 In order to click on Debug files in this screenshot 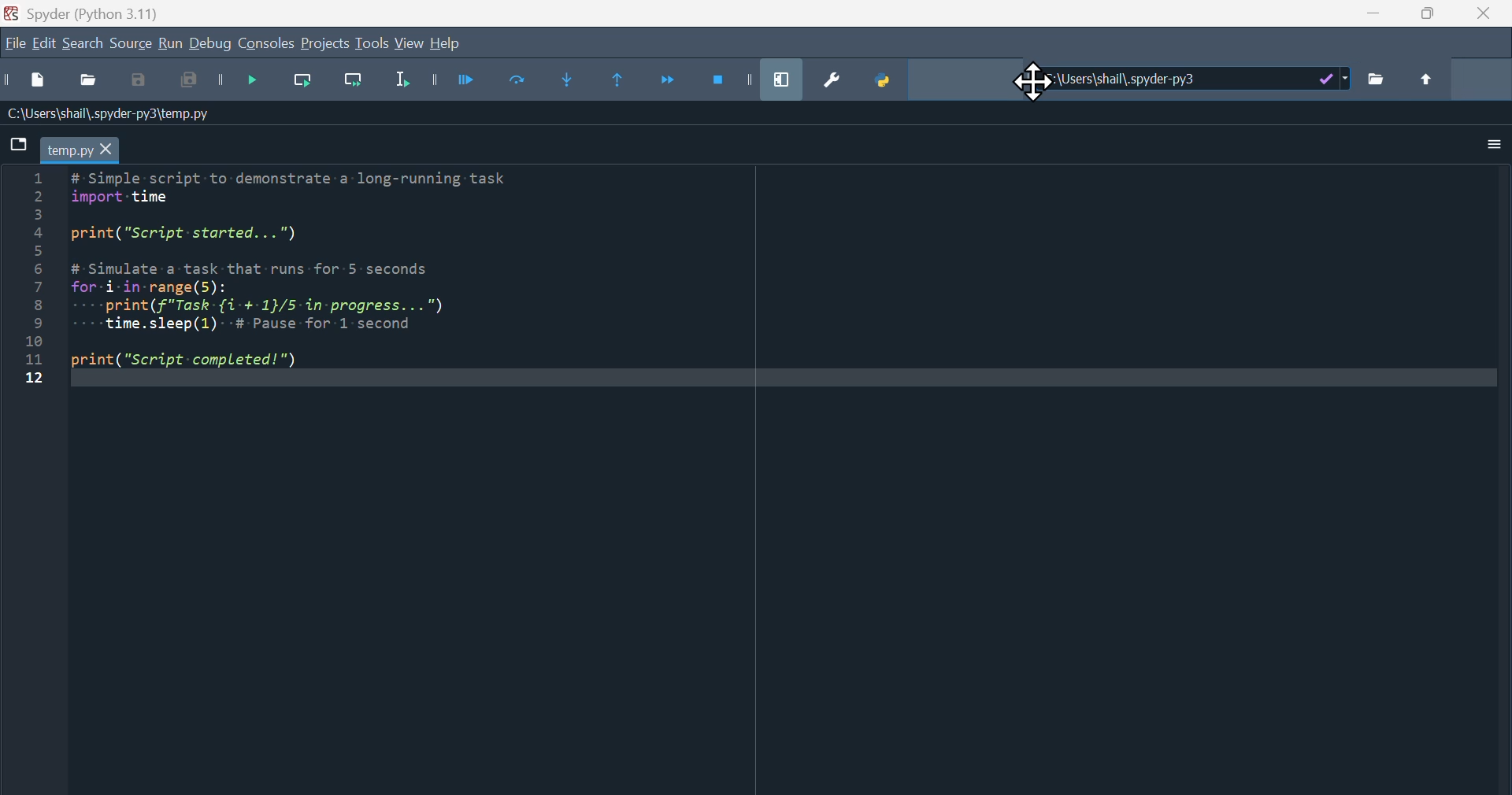, I will do `click(470, 83)`.